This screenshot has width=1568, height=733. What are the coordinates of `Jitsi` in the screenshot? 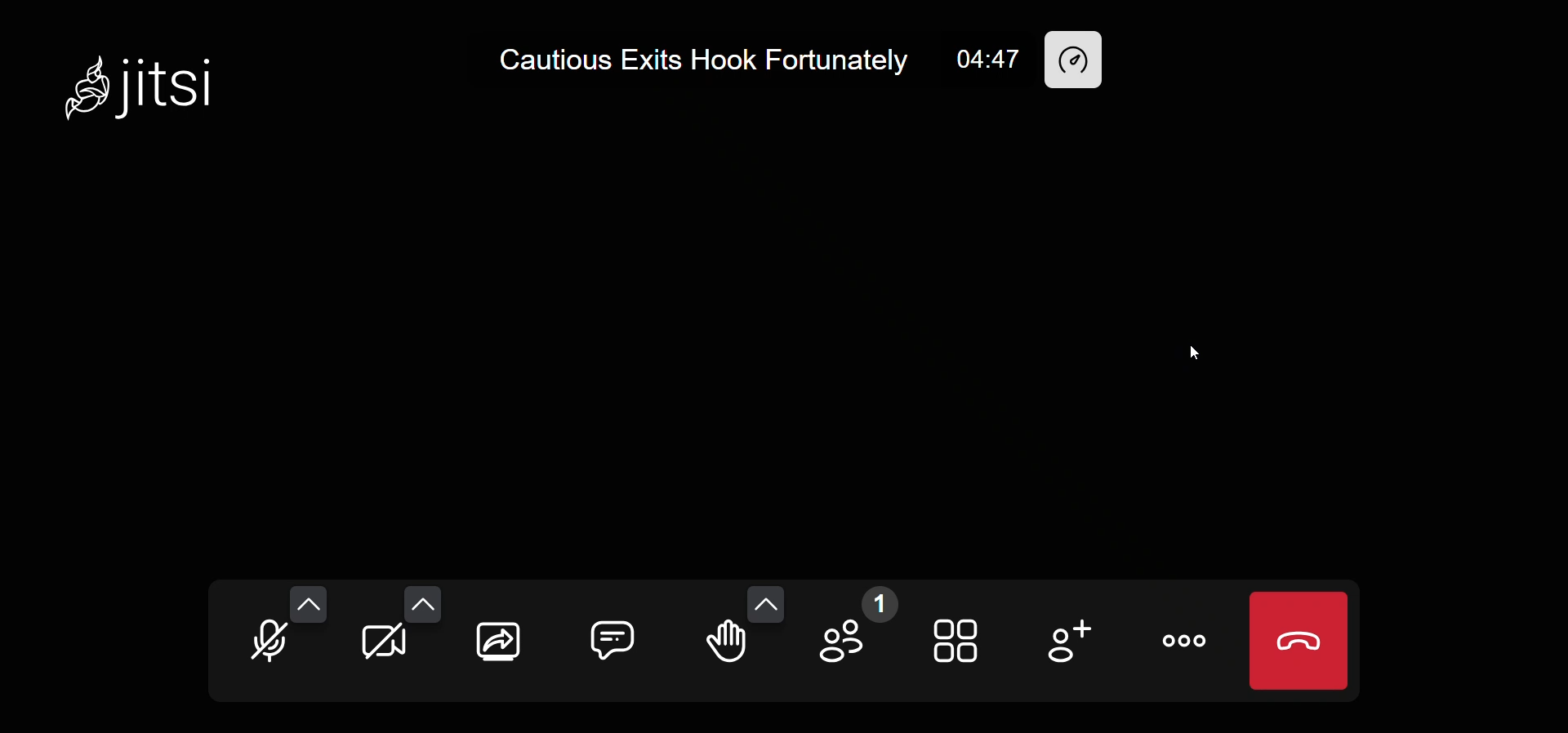 It's located at (138, 84).